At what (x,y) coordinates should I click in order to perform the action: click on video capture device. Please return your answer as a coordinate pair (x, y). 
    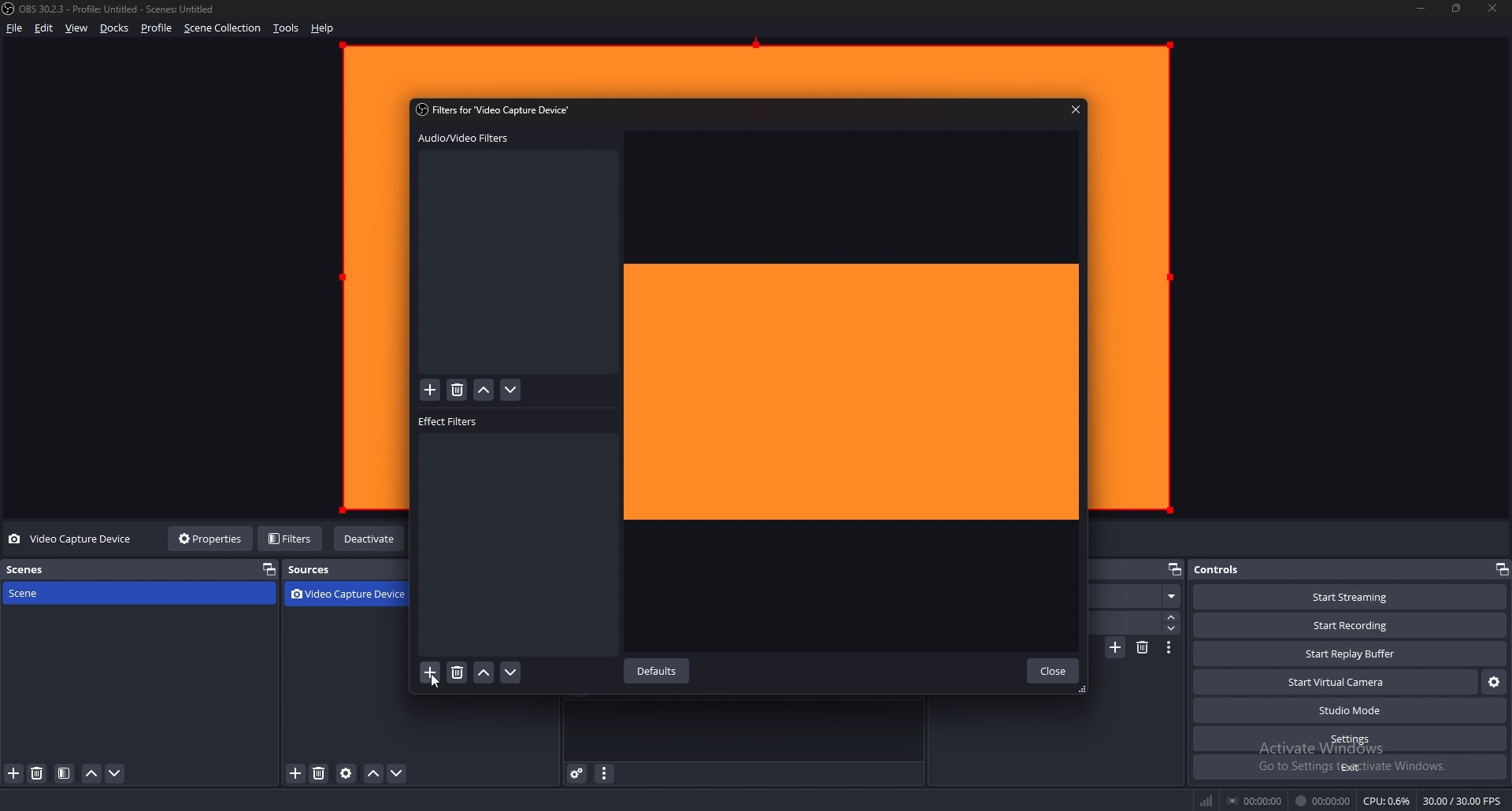
    Looking at the image, I should click on (72, 539).